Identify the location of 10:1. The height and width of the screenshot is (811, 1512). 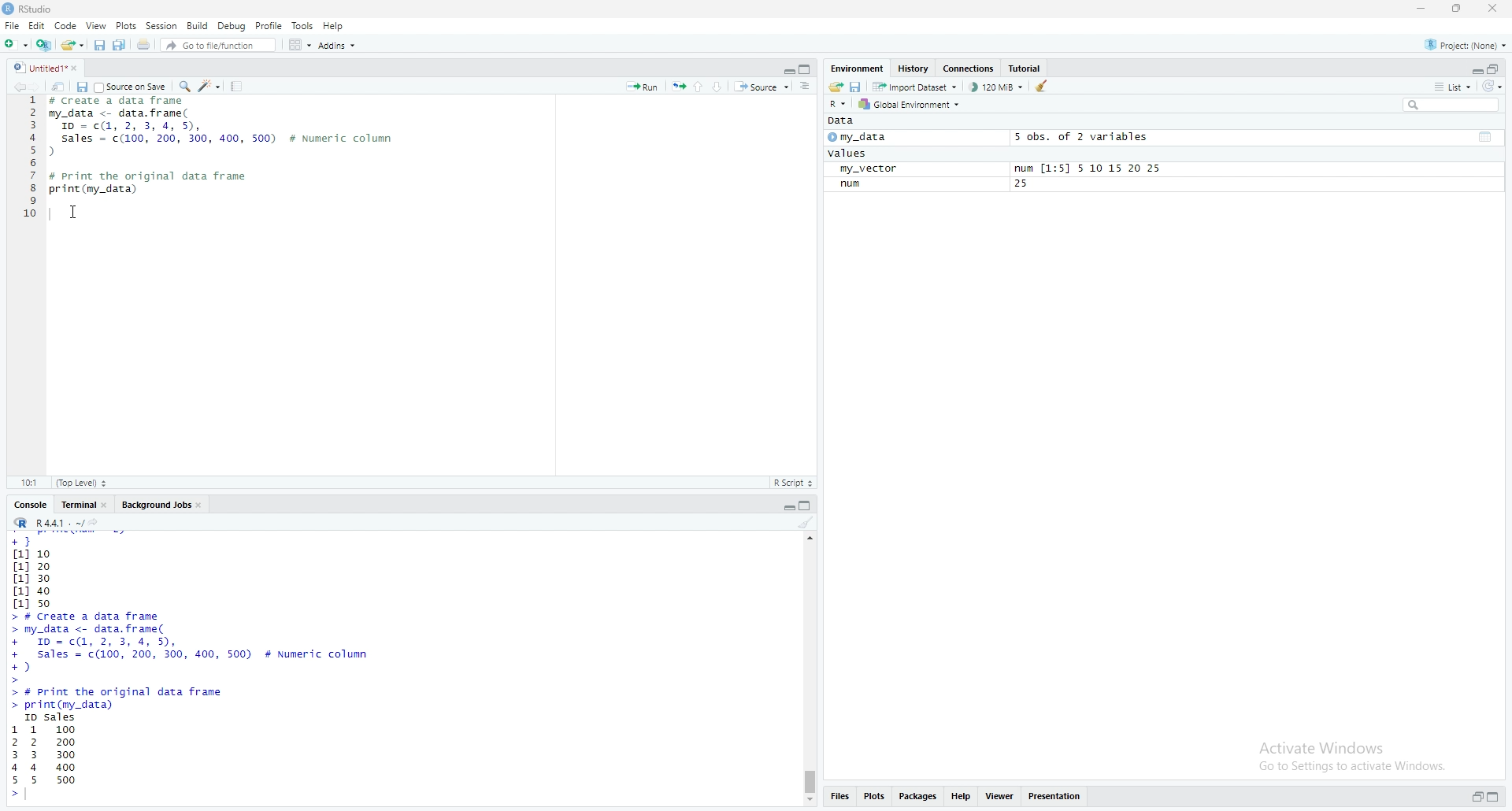
(28, 483).